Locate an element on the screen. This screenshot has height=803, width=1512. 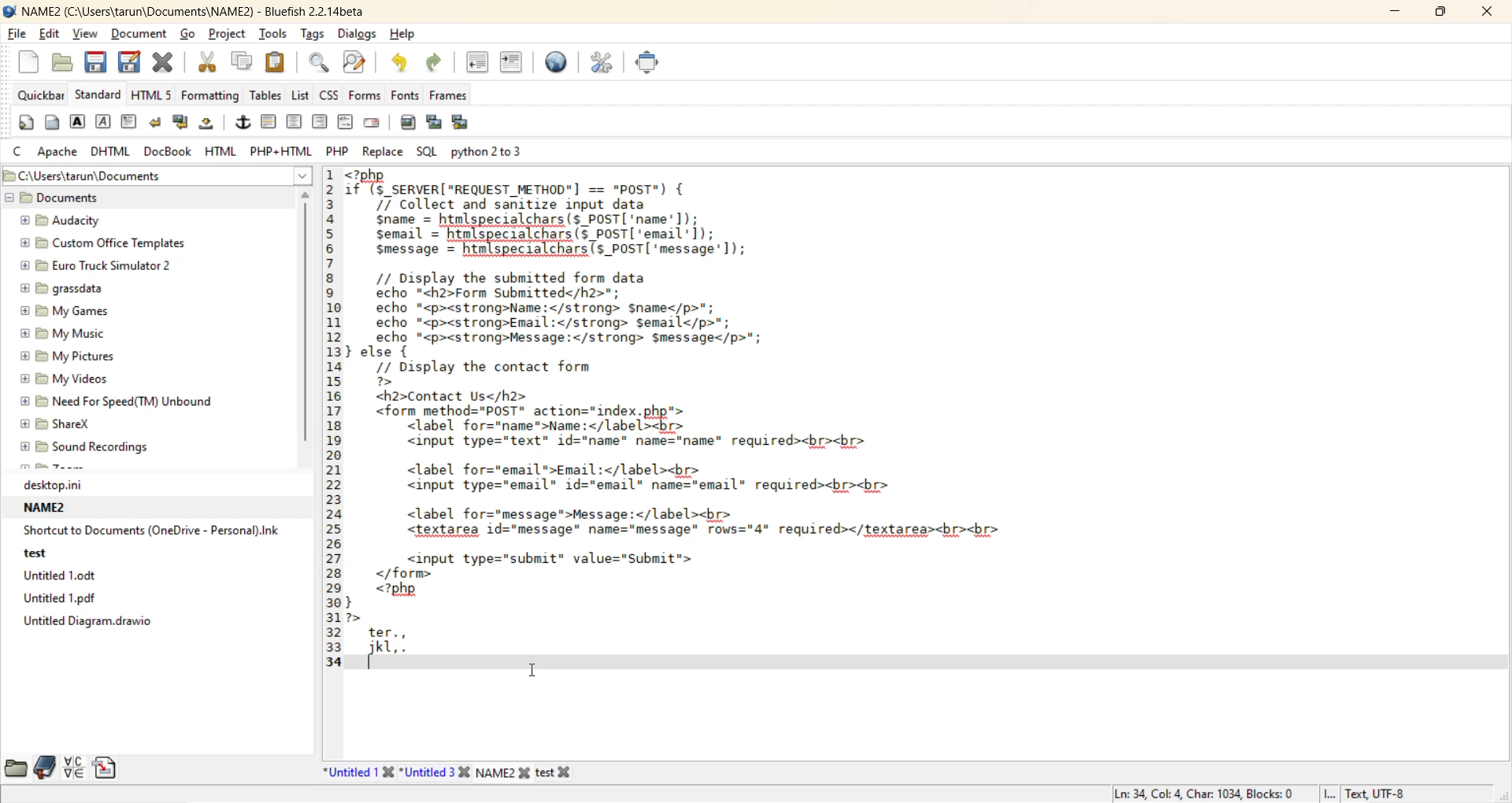
edit is located at coordinates (51, 35).